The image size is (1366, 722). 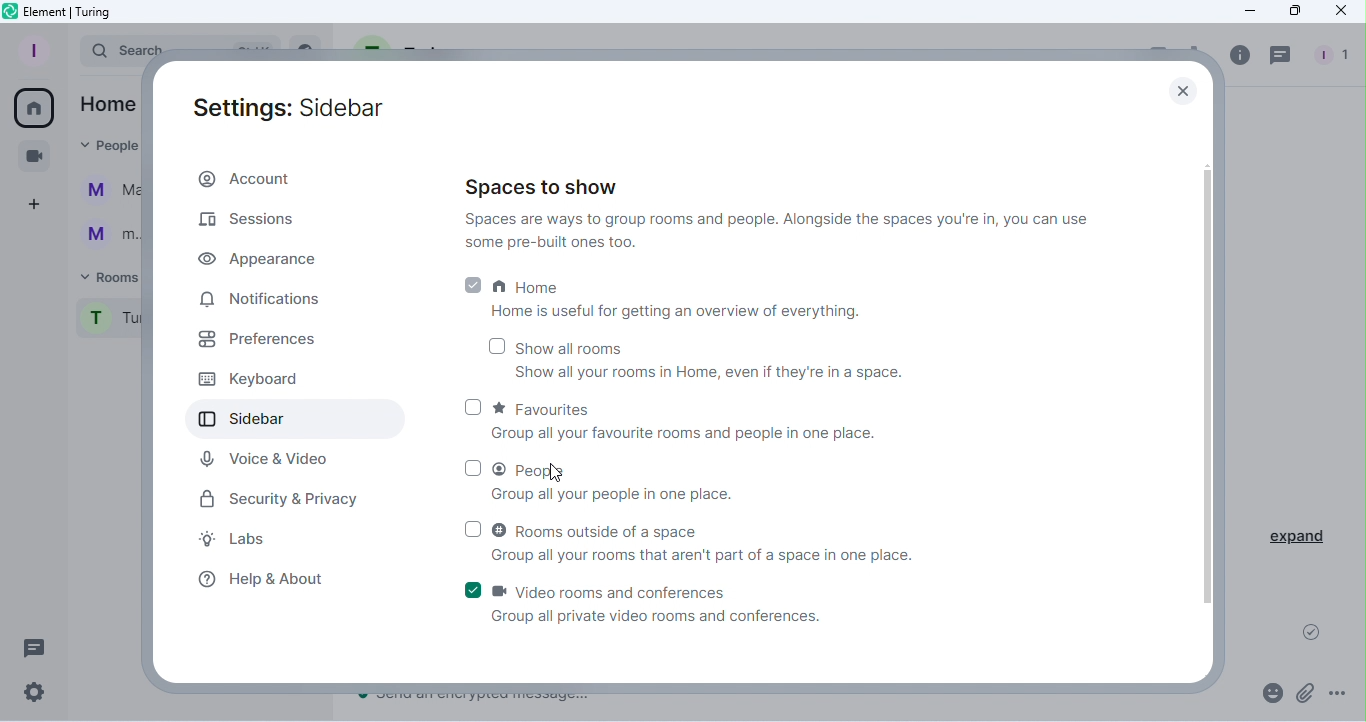 What do you see at coordinates (63, 12) in the screenshot?
I see `Element icon` at bounding box center [63, 12].